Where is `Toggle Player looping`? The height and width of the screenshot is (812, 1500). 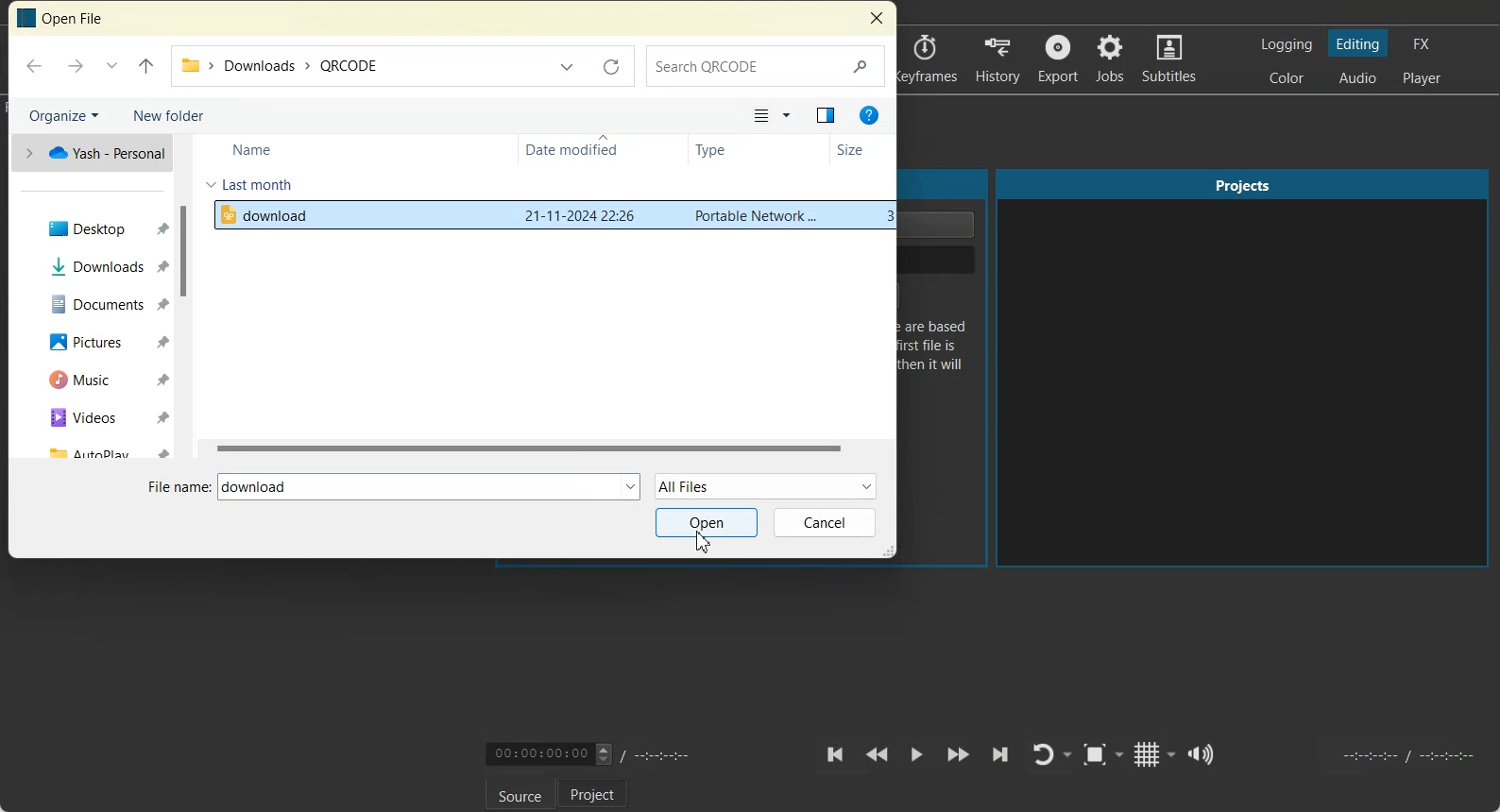 Toggle Player looping is located at coordinates (1051, 755).